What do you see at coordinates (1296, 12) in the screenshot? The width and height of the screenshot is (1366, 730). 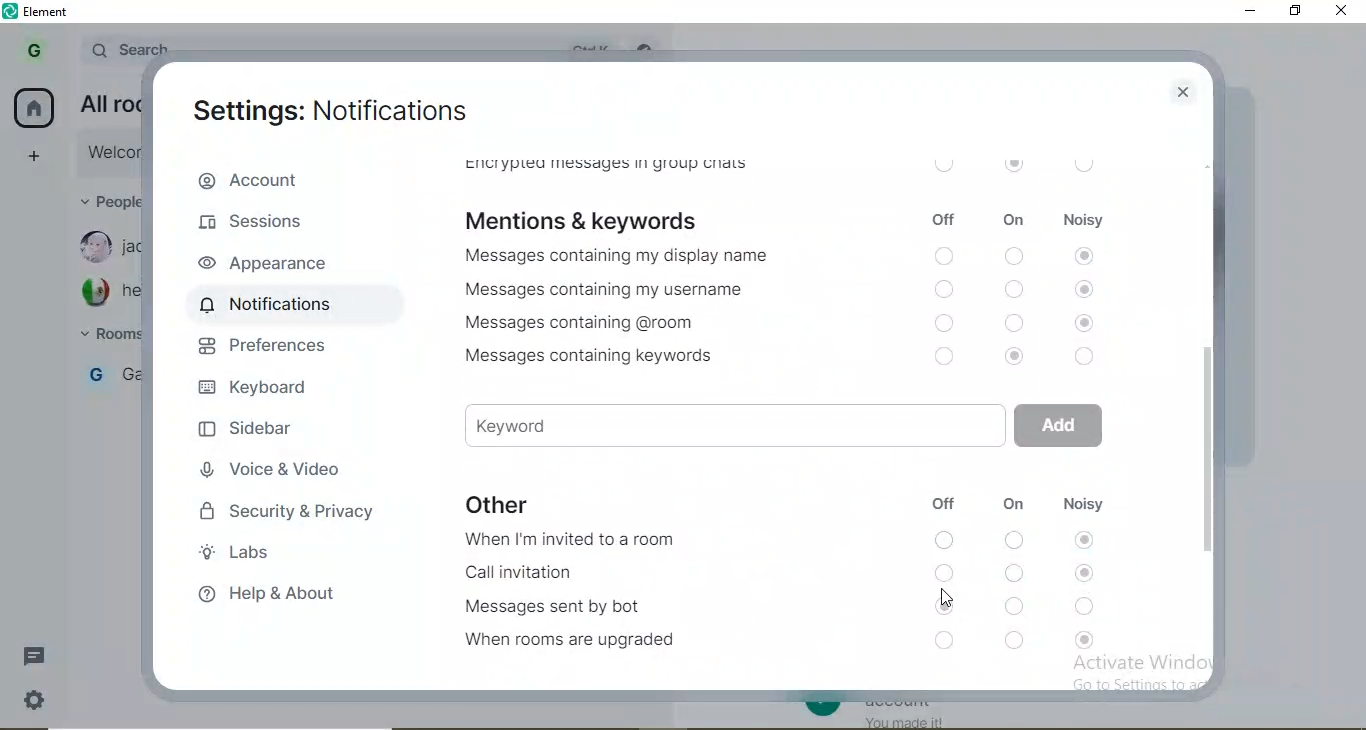 I see `restore` at bounding box center [1296, 12].